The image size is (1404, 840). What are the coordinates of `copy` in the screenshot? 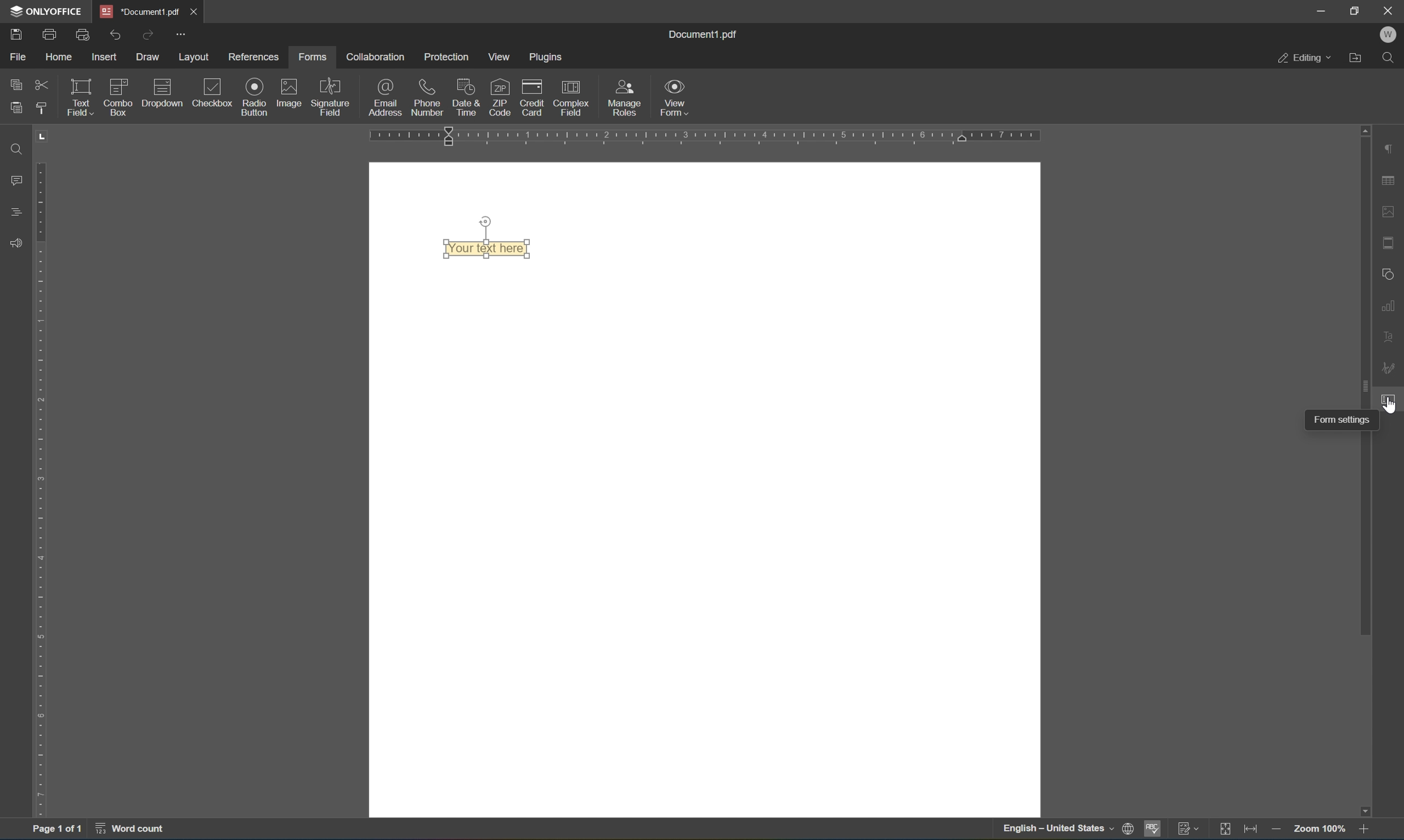 It's located at (17, 83).